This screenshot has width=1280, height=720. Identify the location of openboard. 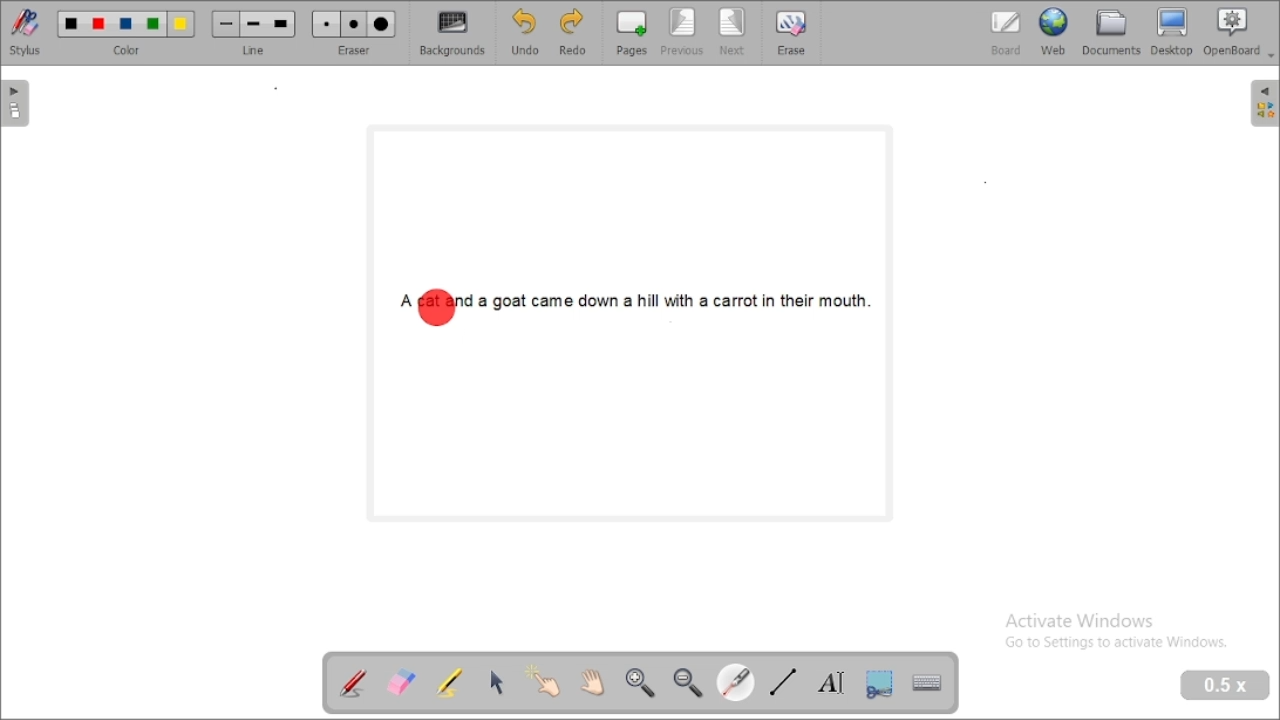
(1232, 32).